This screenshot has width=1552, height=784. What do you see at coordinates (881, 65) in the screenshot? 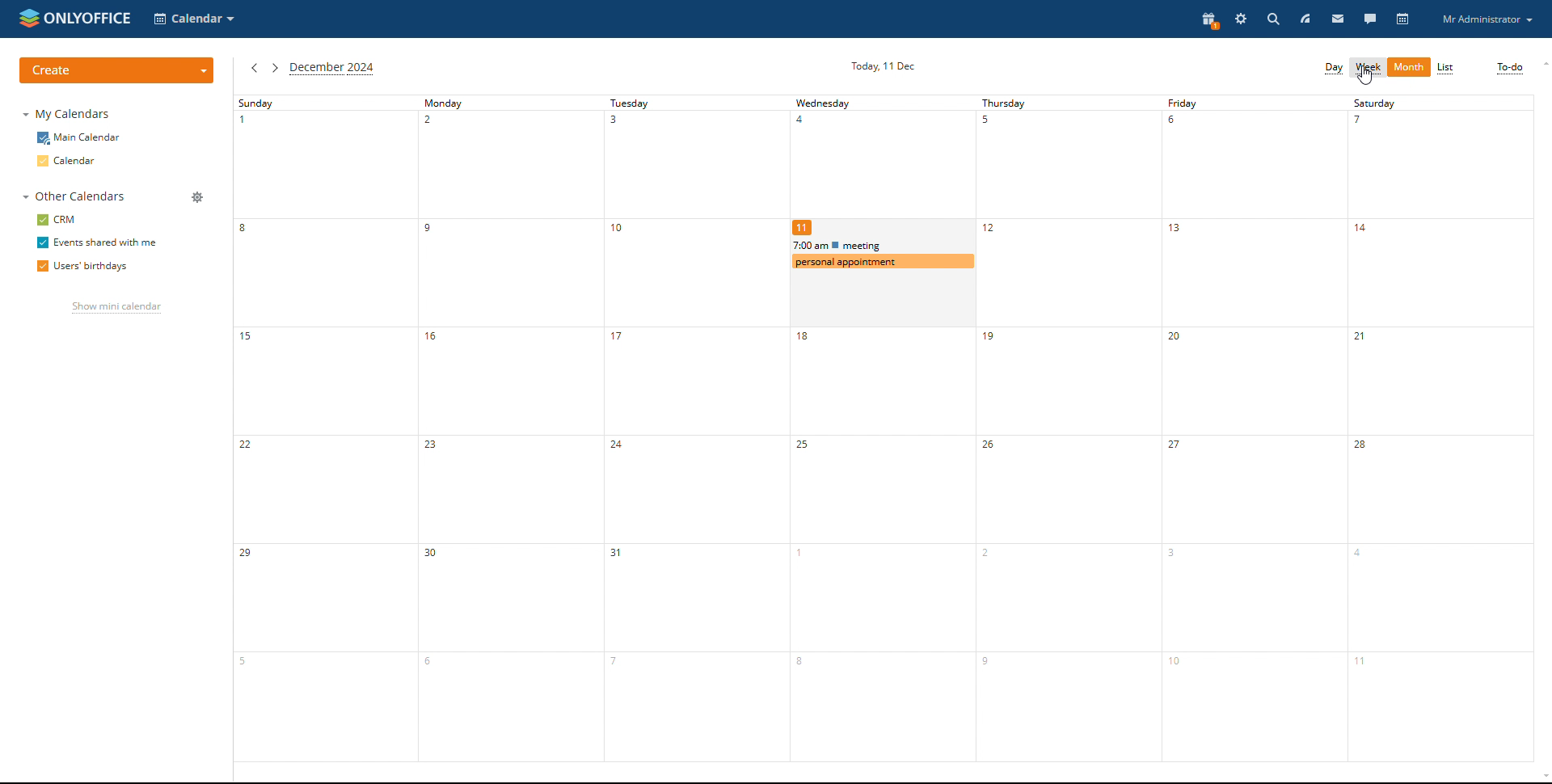
I see `current date` at bounding box center [881, 65].